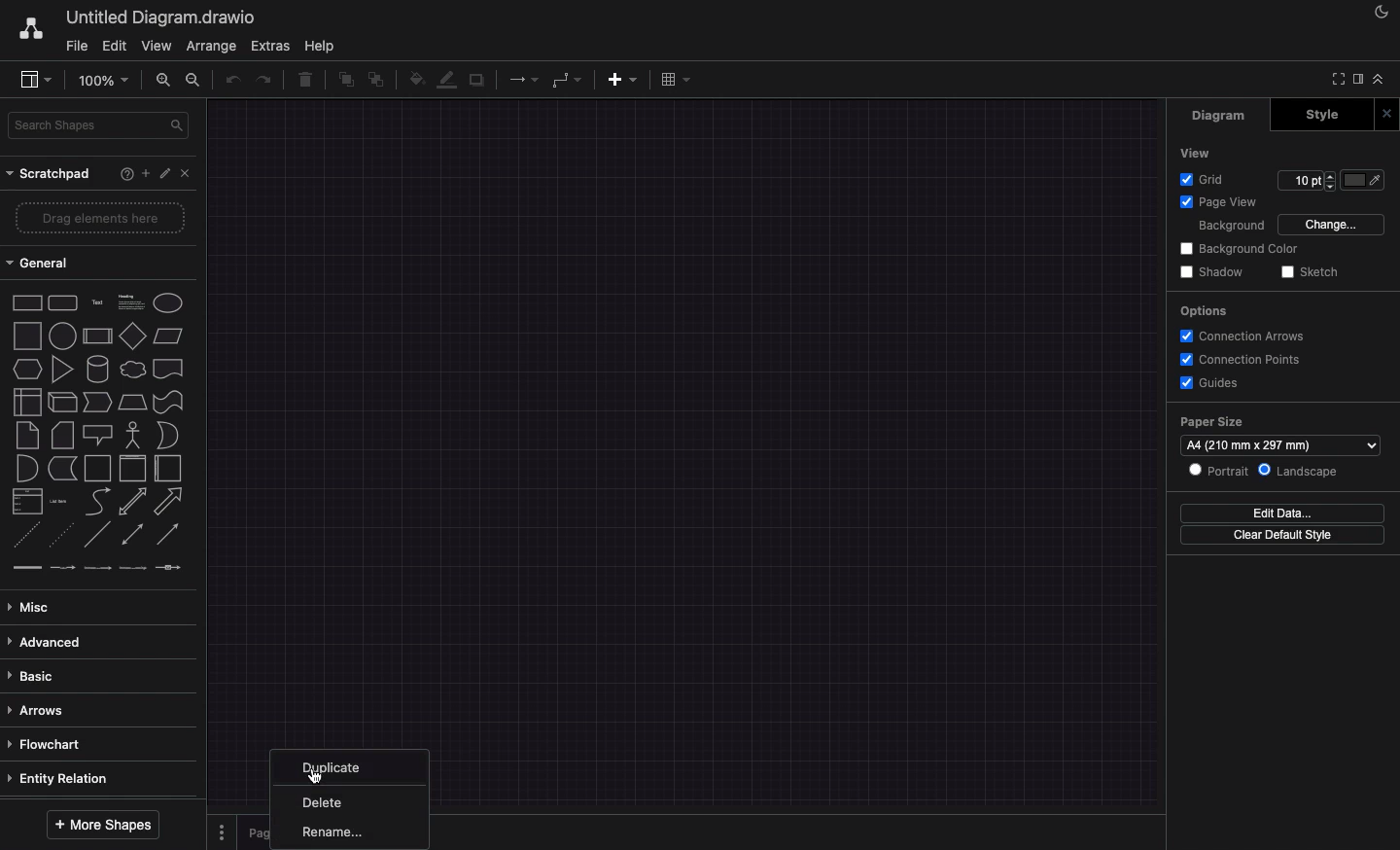  Describe the element at coordinates (28, 402) in the screenshot. I see `internal storage` at that location.